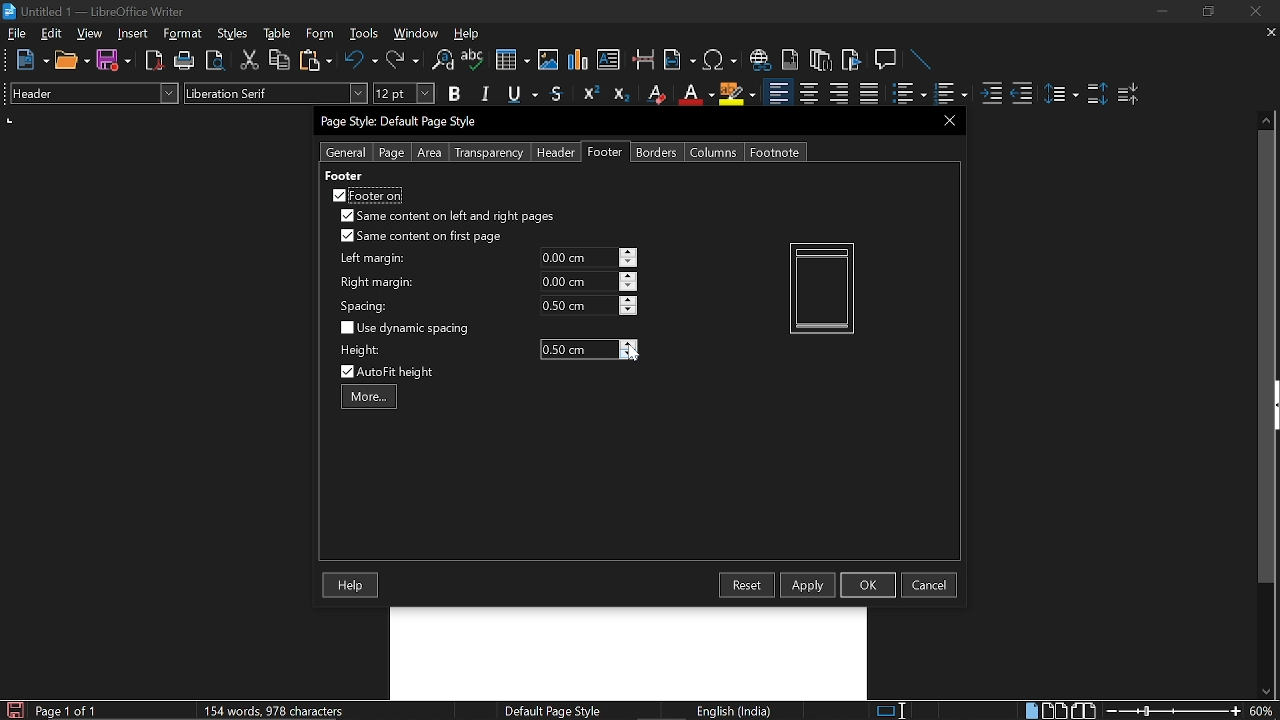 This screenshot has height=720, width=1280. What do you see at coordinates (578, 350) in the screenshot?
I see `Height` at bounding box center [578, 350].